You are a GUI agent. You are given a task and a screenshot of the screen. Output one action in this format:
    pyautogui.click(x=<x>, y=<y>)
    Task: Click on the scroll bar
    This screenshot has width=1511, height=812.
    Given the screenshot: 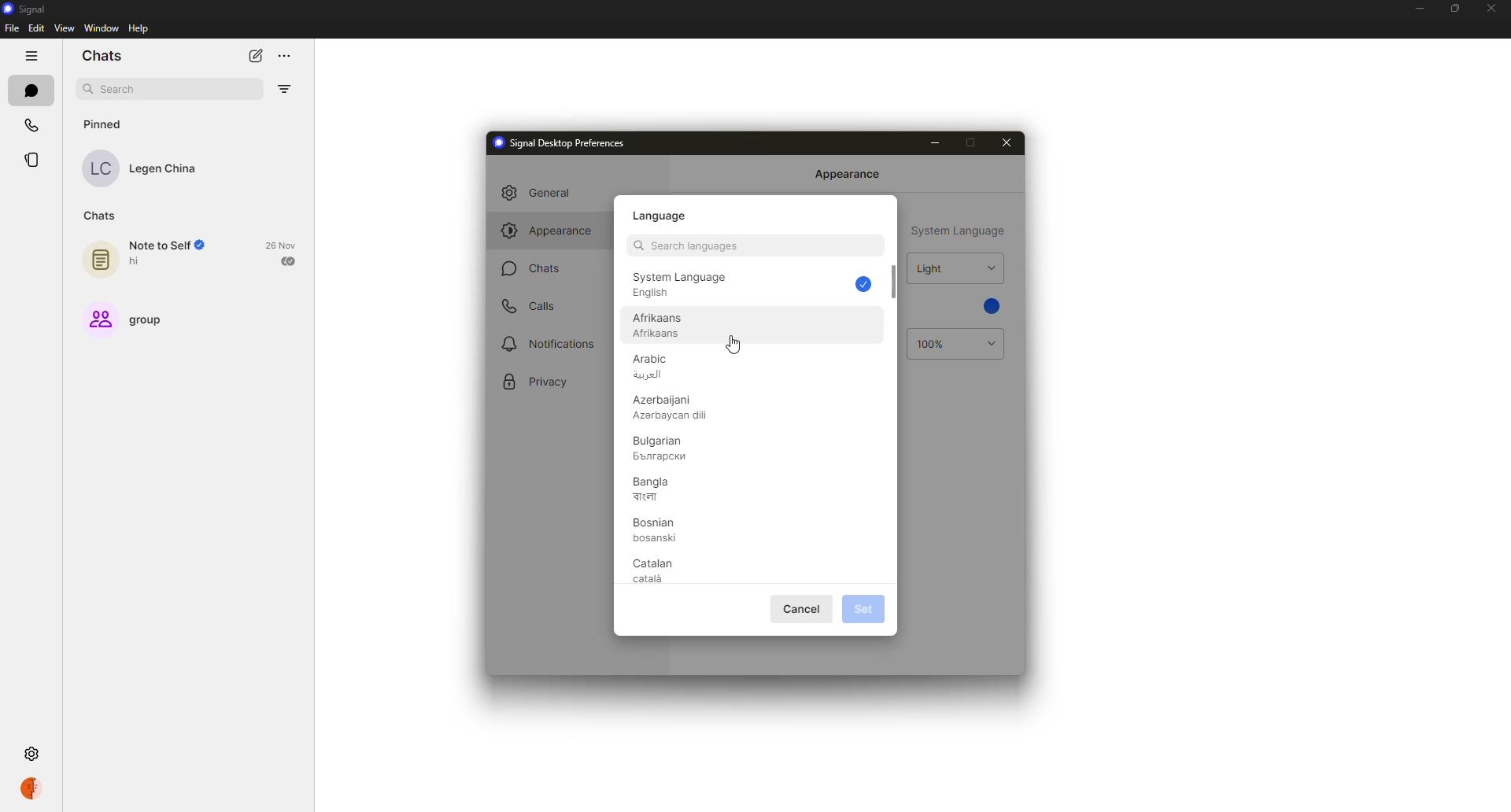 What is the action you would take?
    pyautogui.click(x=896, y=282)
    